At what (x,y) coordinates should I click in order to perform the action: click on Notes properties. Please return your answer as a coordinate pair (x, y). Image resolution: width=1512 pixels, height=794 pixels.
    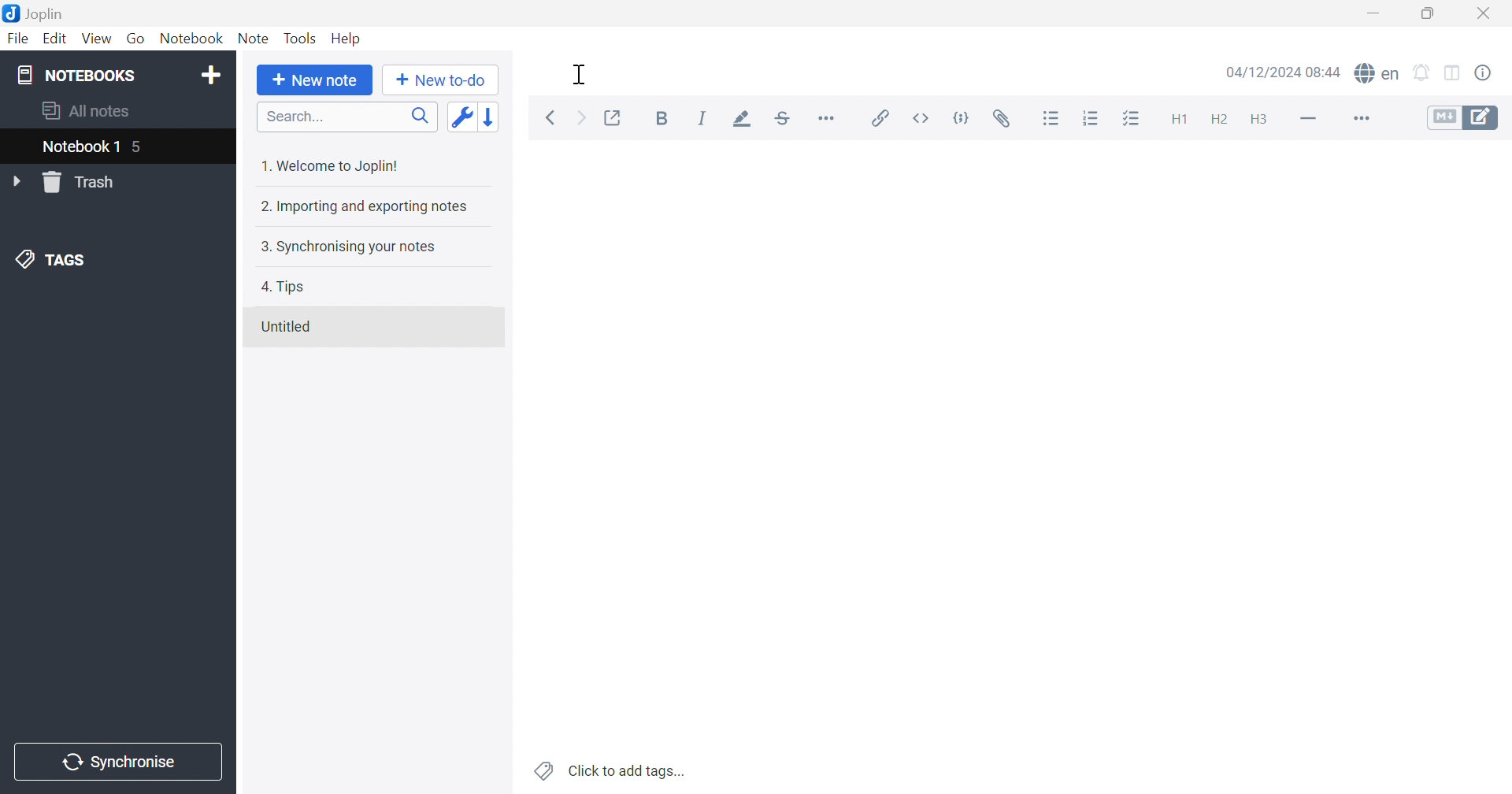
    Looking at the image, I should click on (1485, 72).